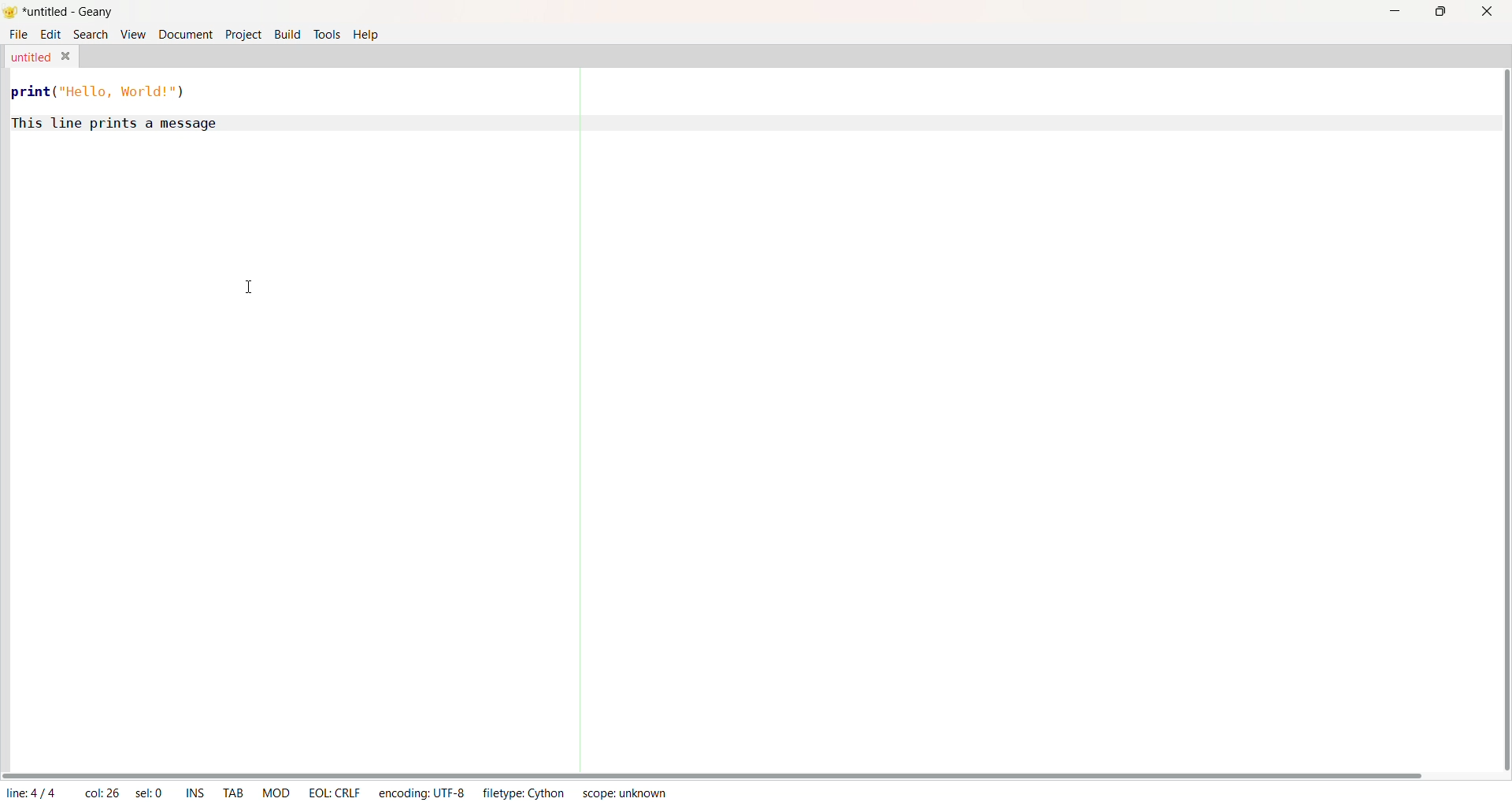  I want to click on Edit, so click(49, 35).